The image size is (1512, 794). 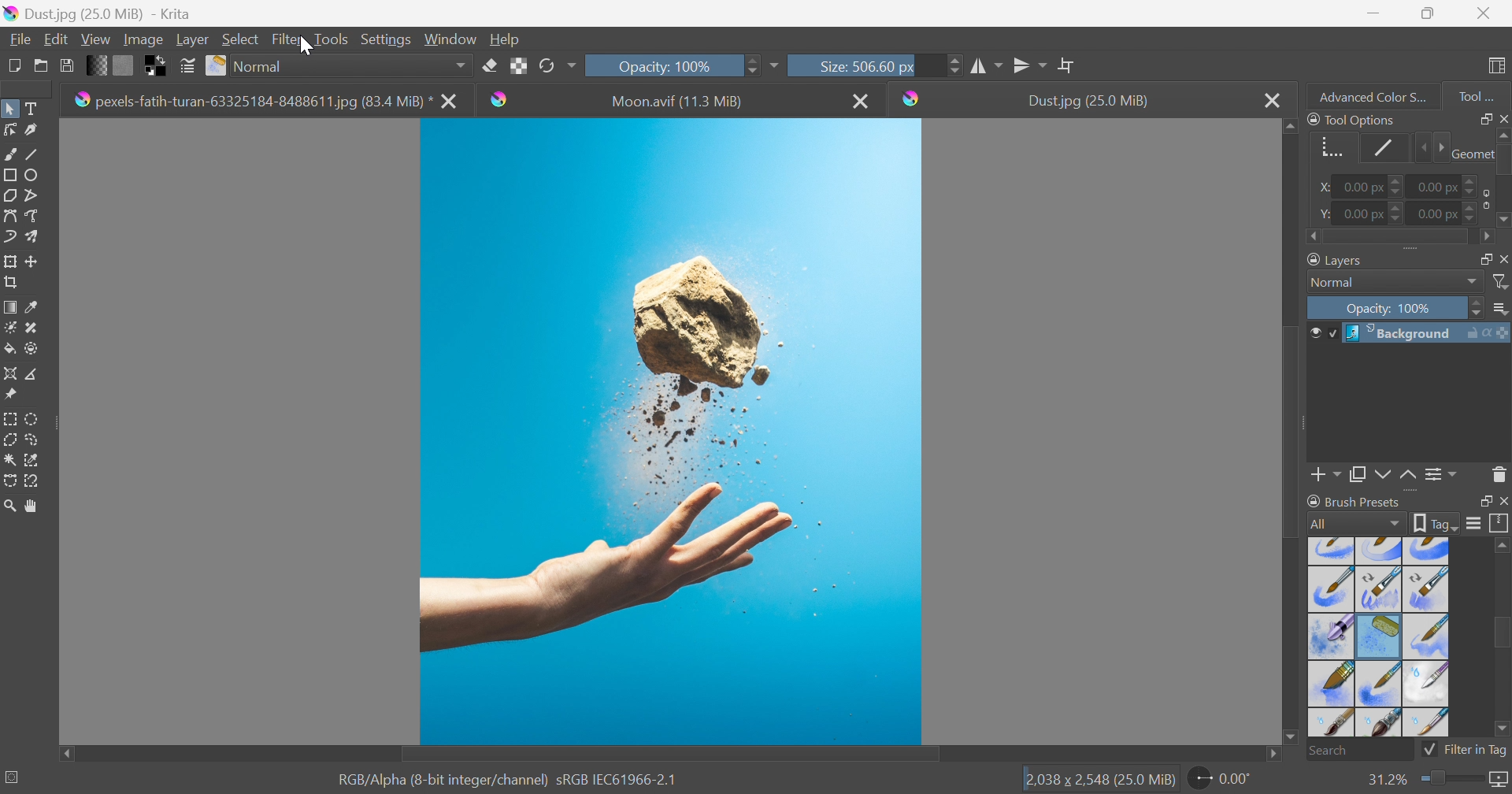 I want to click on Vertical mirror tool, so click(x=988, y=64).